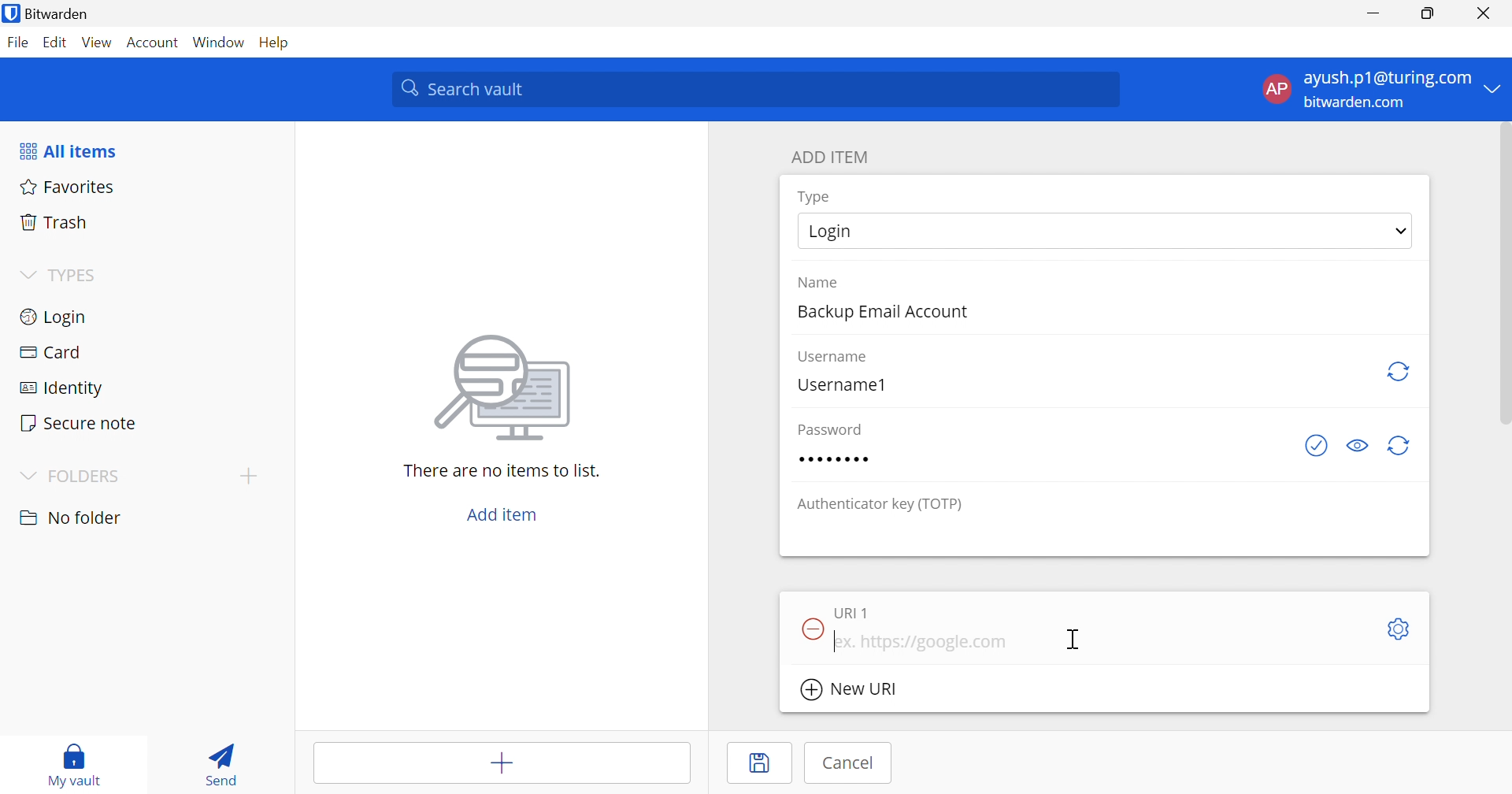 Image resolution: width=1512 pixels, height=794 pixels. Describe the element at coordinates (811, 627) in the screenshot. I see `Remove` at that location.